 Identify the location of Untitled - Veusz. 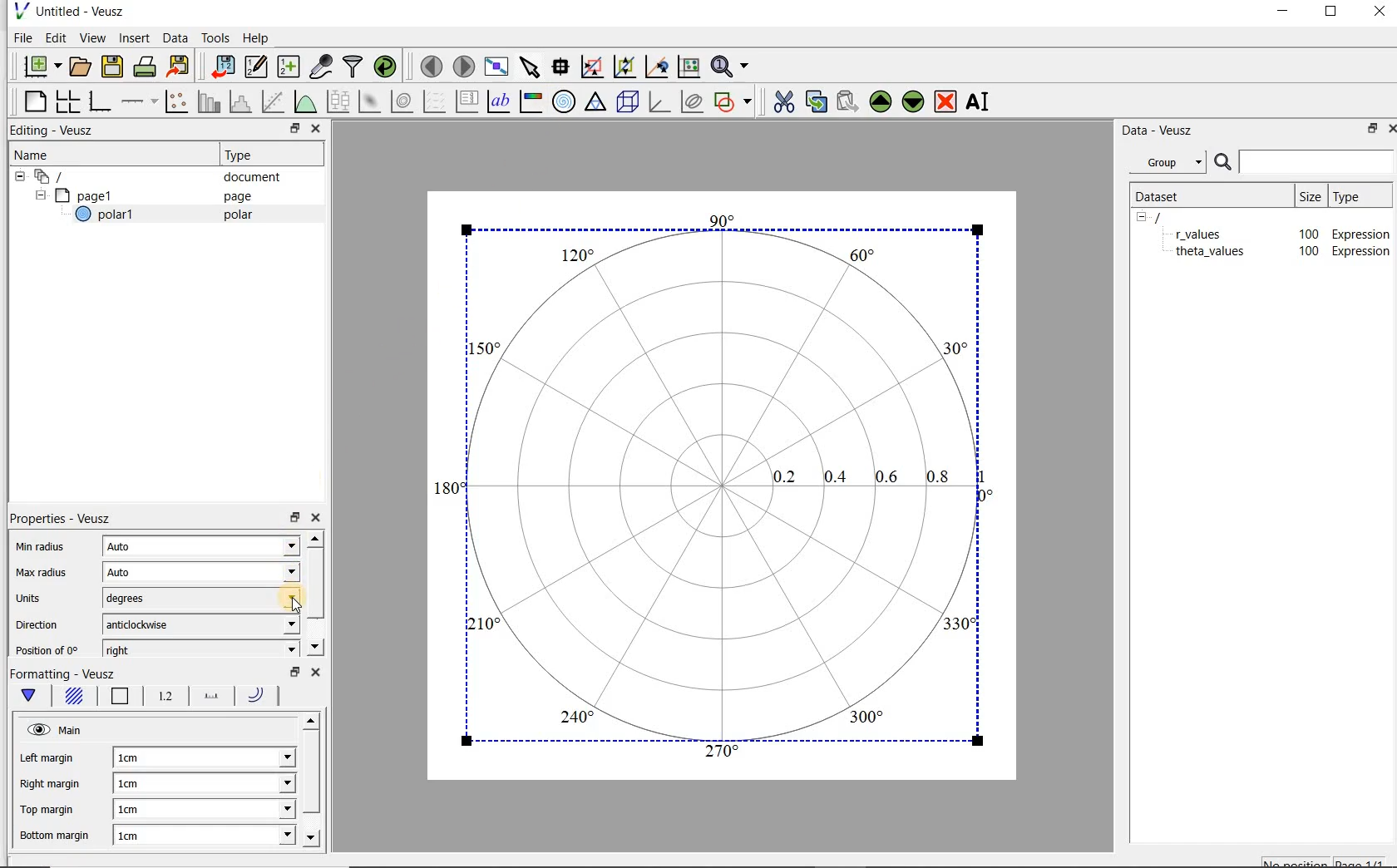
(67, 10).